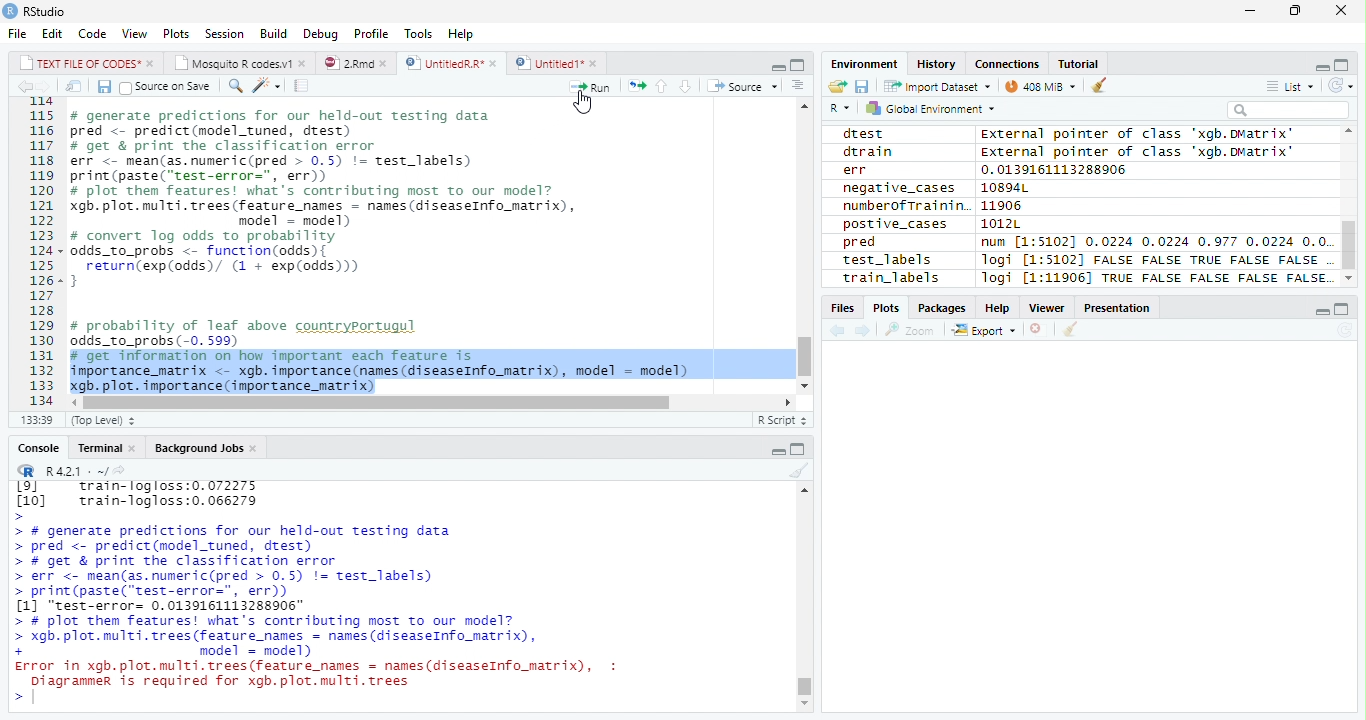 Image resolution: width=1366 pixels, height=720 pixels. Describe the element at coordinates (356, 63) in the screenshot. I see `2.Rmd` at that location.